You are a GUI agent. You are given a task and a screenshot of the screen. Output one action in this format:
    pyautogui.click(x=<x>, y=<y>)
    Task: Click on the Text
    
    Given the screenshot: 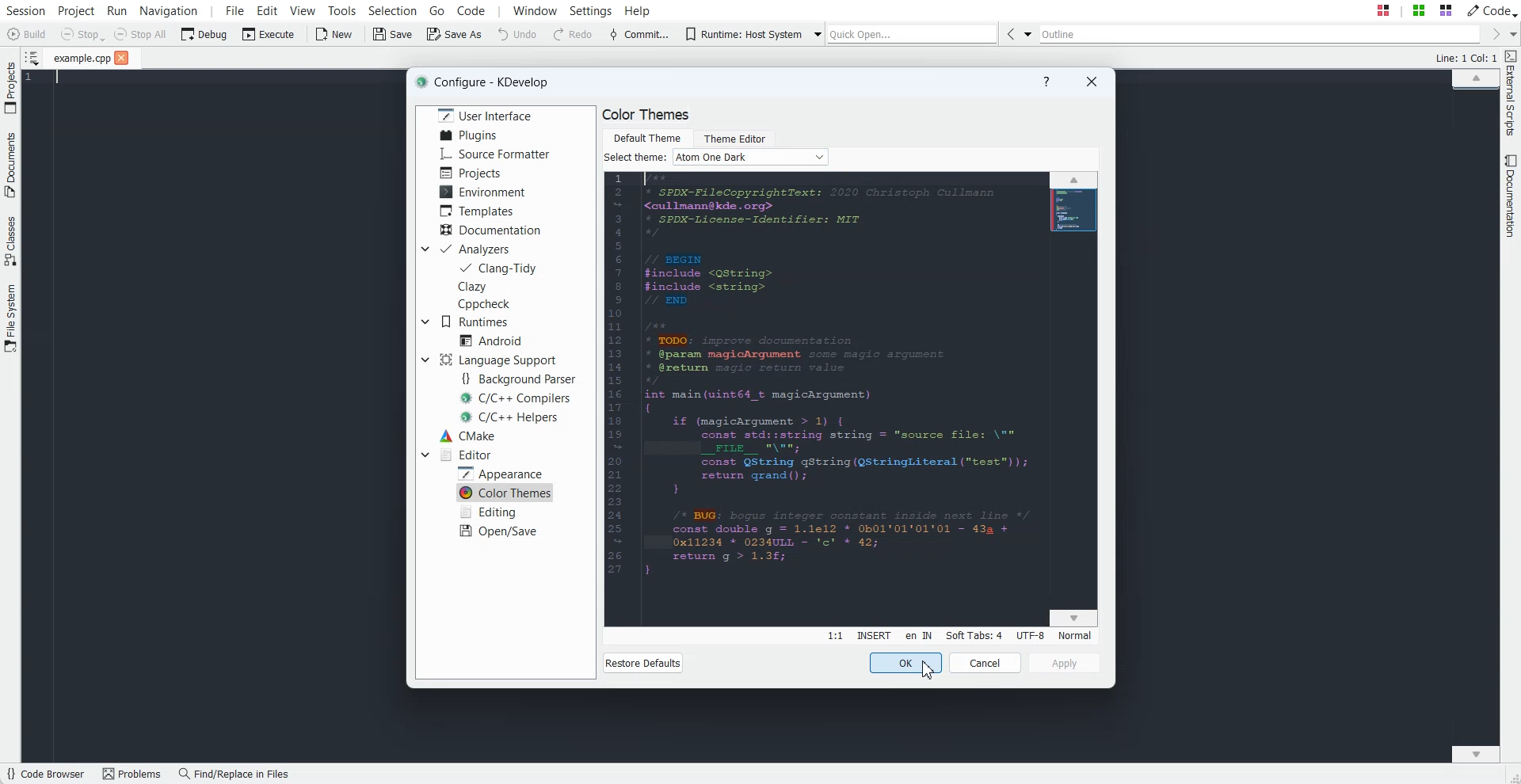 What is the action you would take?
    pyautogui.click(x=646, y=115)
    